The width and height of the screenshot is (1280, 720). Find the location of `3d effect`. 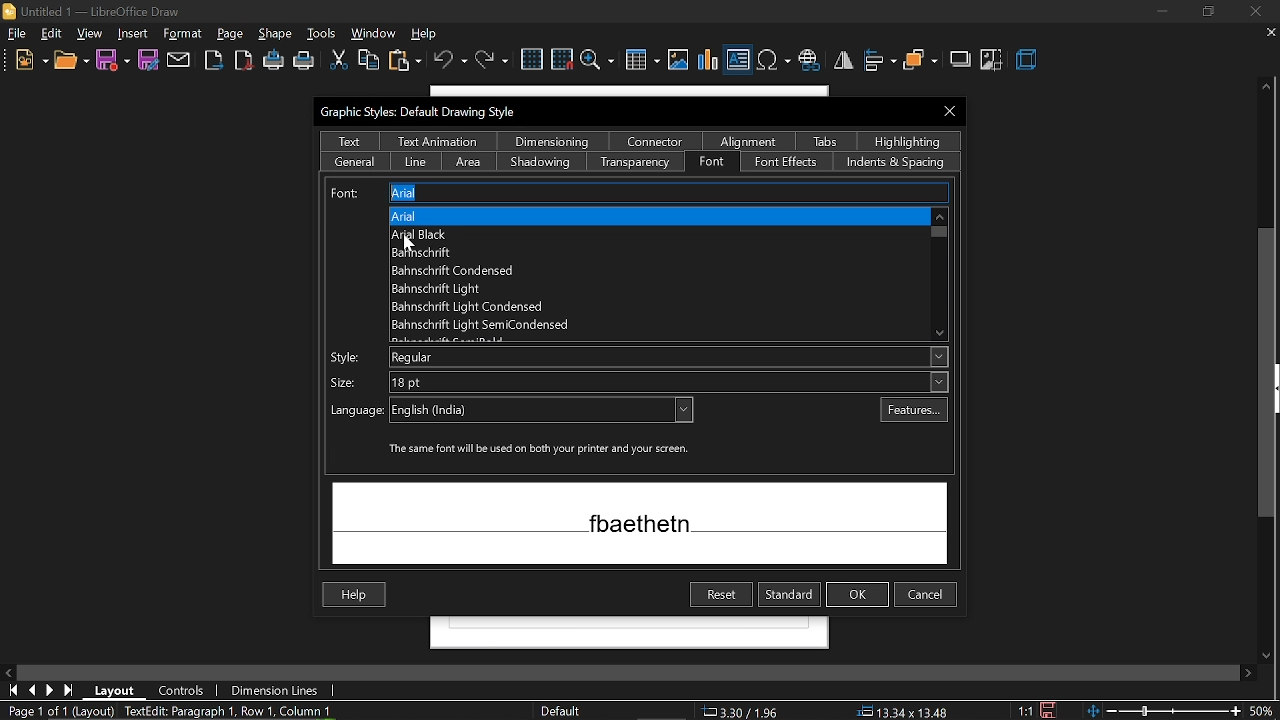

3d effect is located at coordinates (1028, 61).